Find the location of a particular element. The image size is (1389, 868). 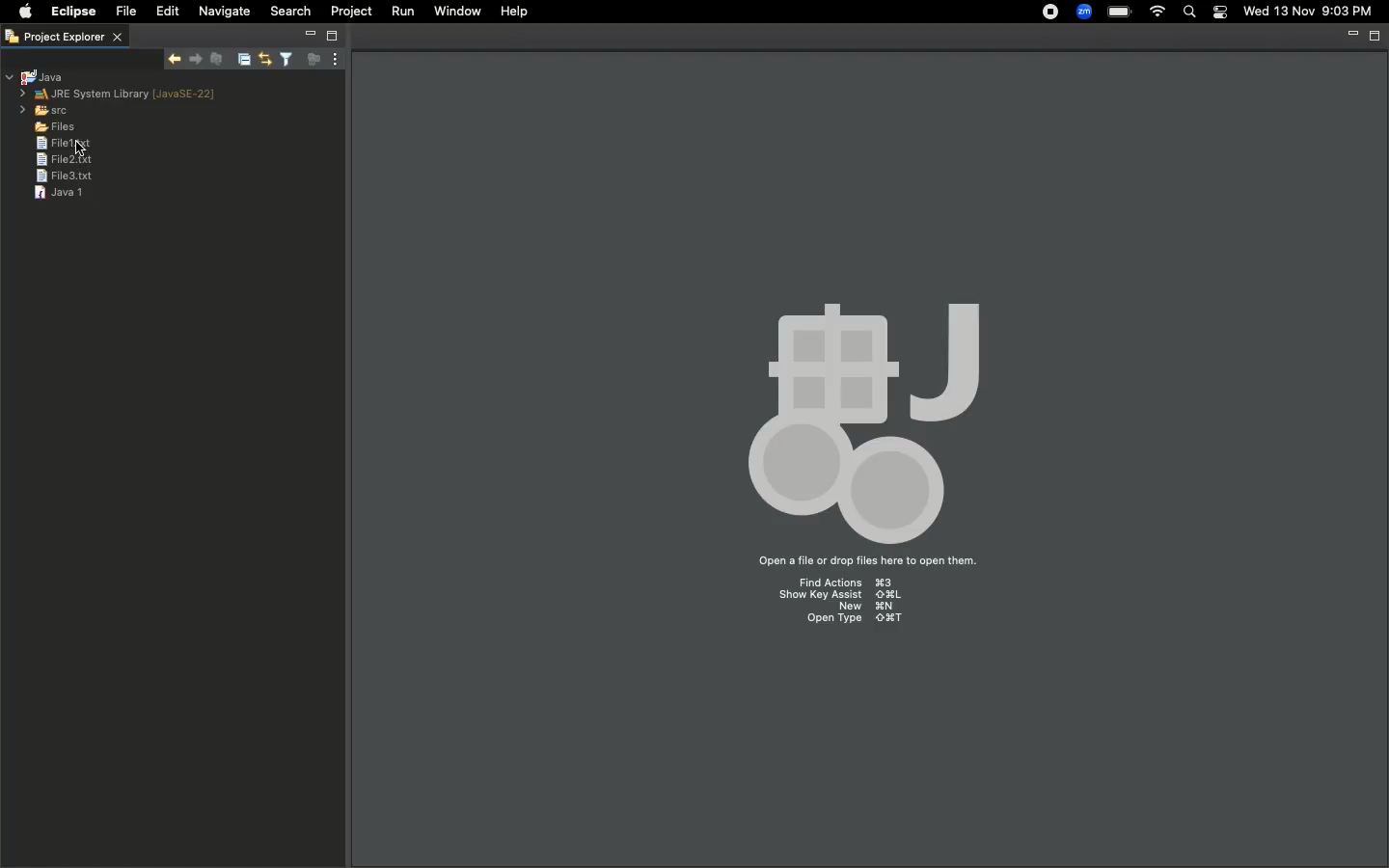

Run is located at coordinates (401, 12).